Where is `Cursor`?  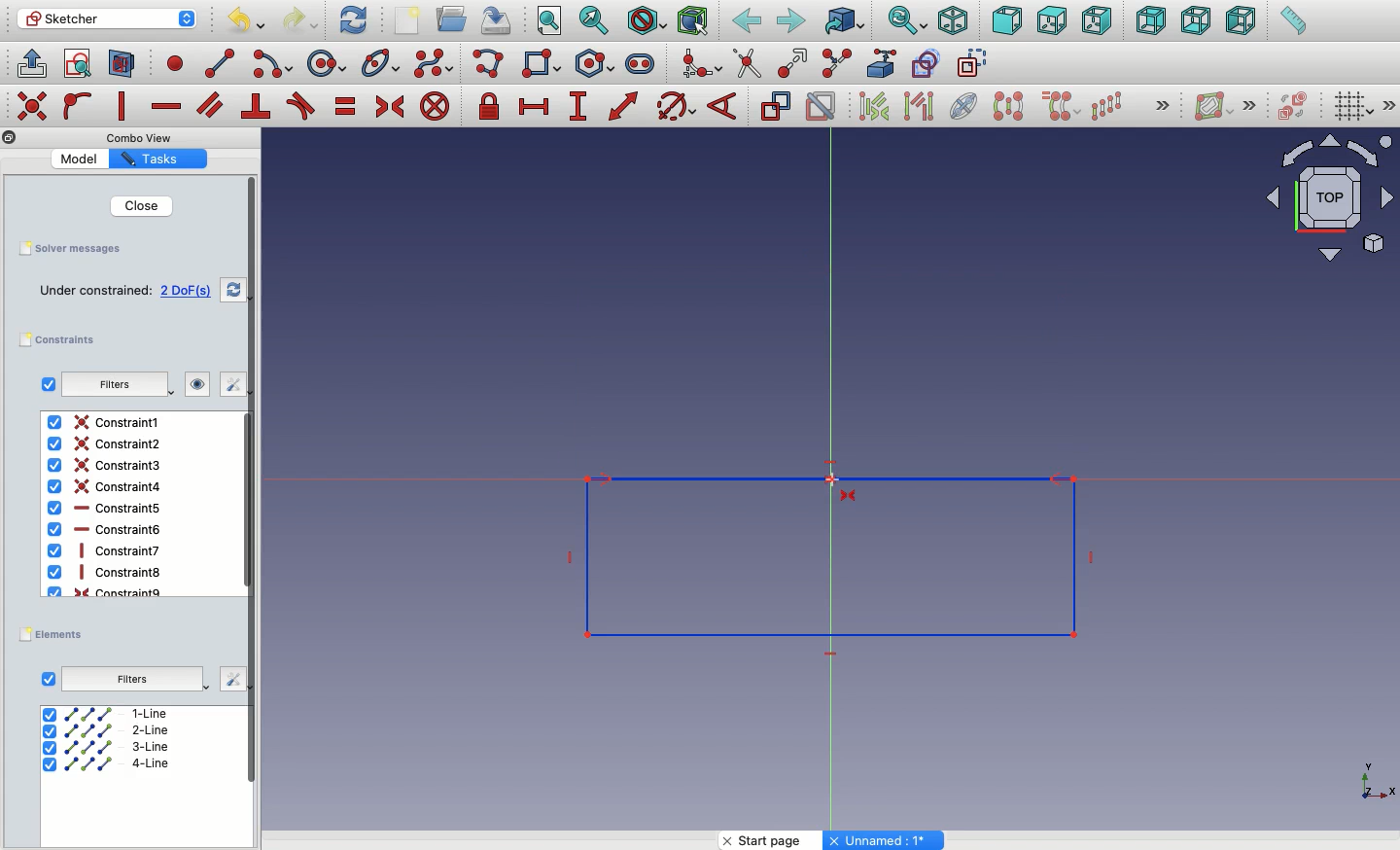 Cursor is located at coordinates (836, 478).